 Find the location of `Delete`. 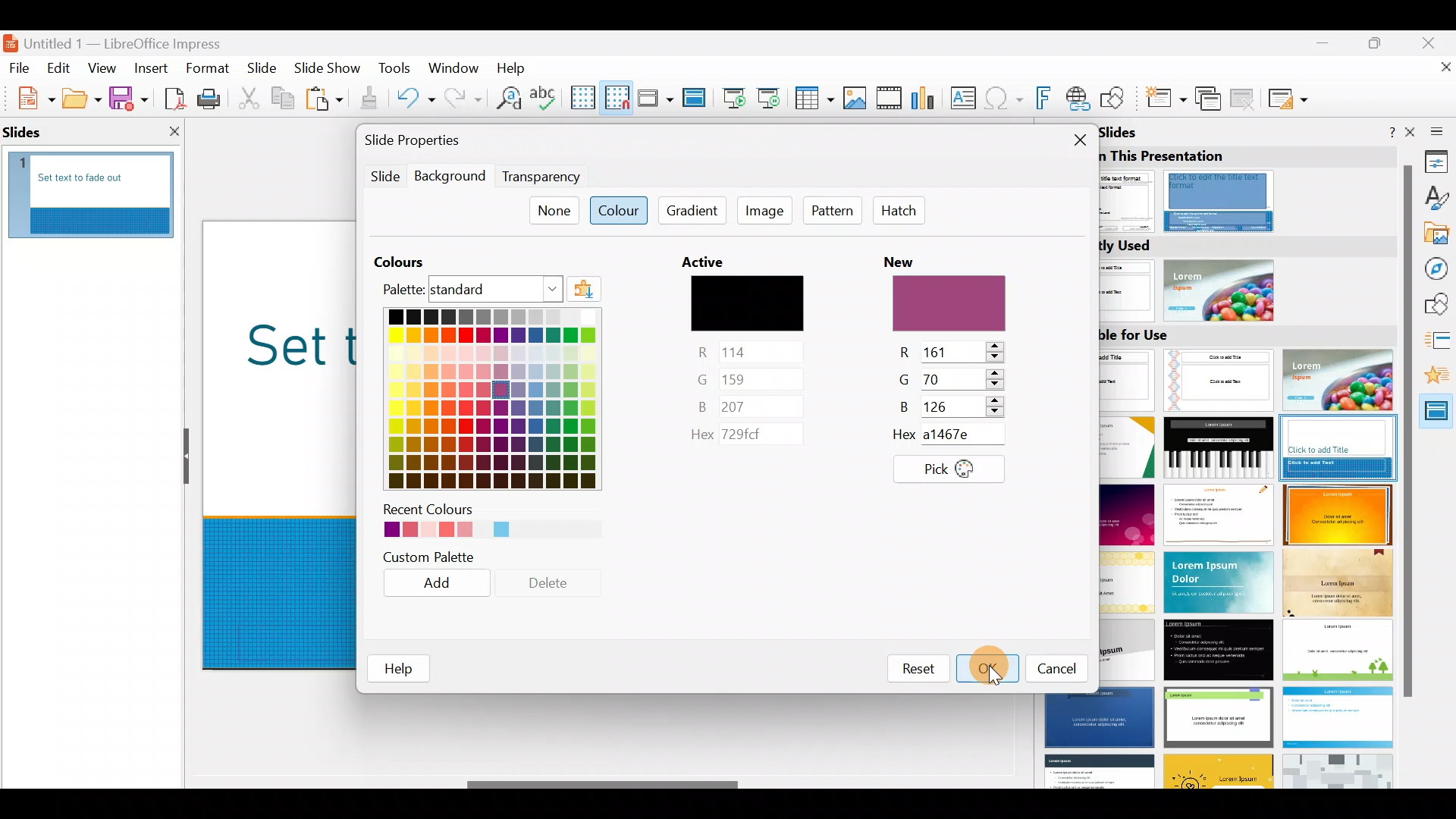

Delete is located at coordinates (554, 588).